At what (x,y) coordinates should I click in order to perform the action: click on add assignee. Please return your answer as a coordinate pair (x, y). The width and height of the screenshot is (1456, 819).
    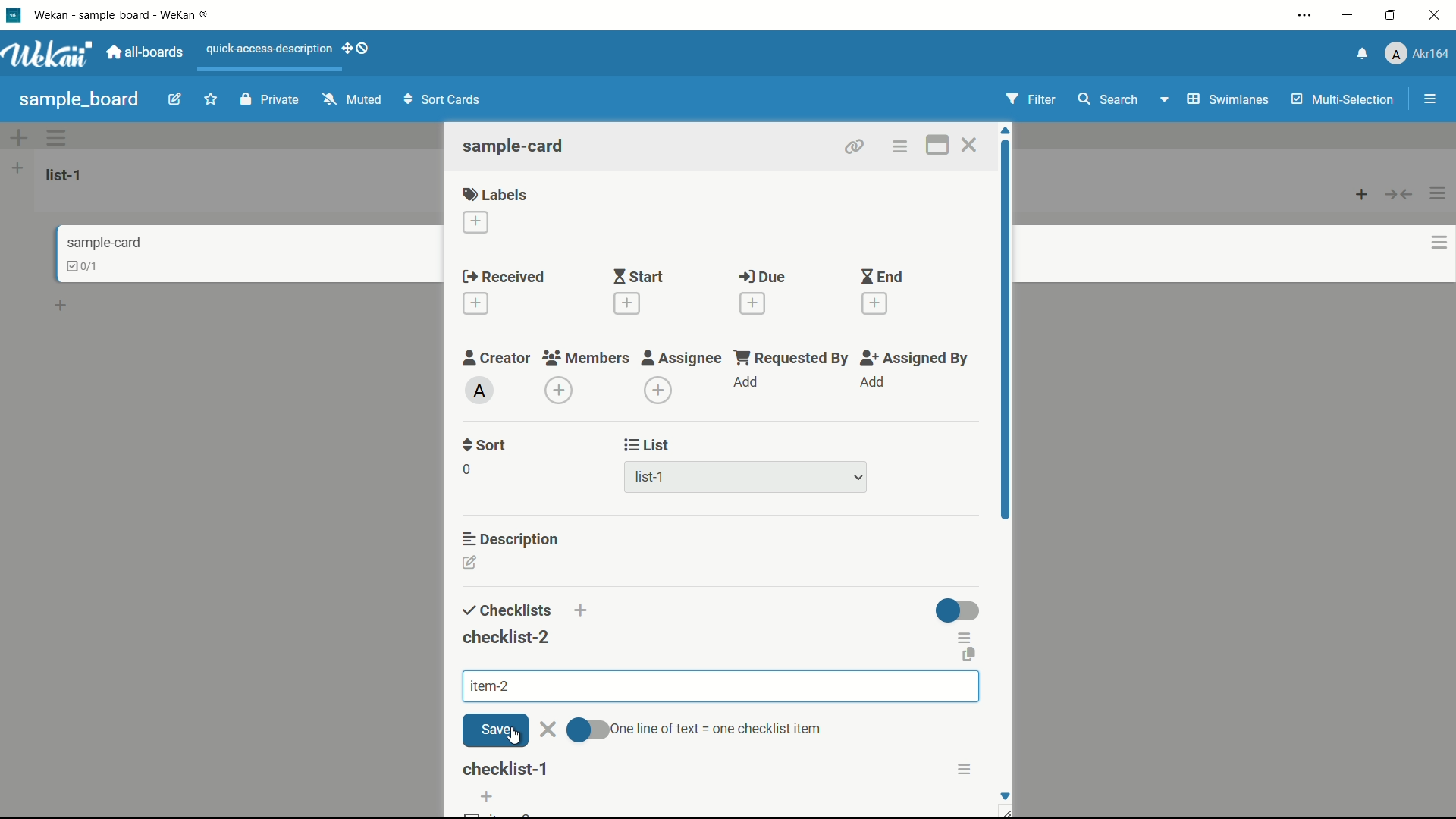
    Looking at the image, I should click on (659, 391).